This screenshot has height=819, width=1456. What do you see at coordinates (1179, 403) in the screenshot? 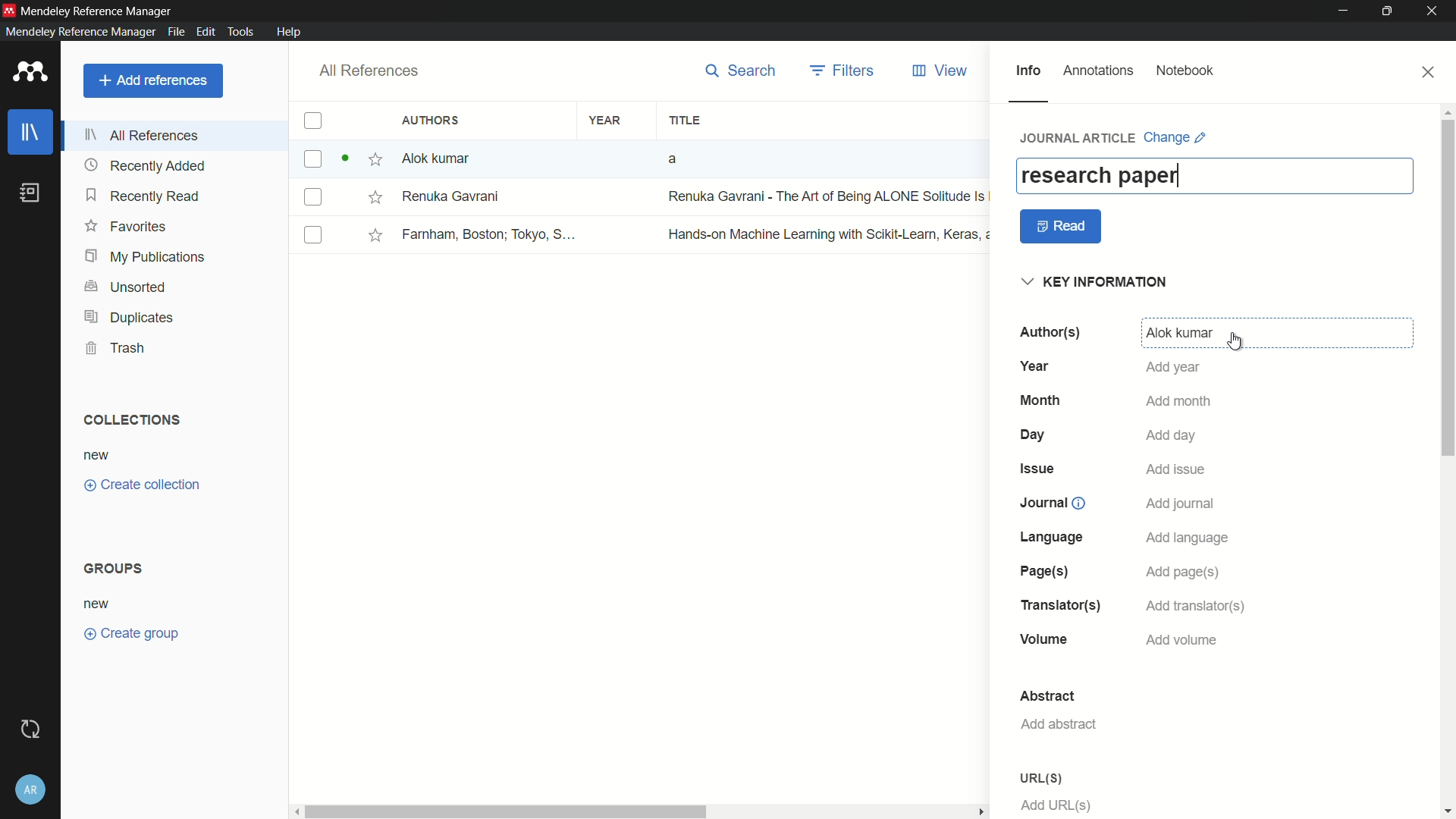
I see `add month` at bounding box center [1179, 403].